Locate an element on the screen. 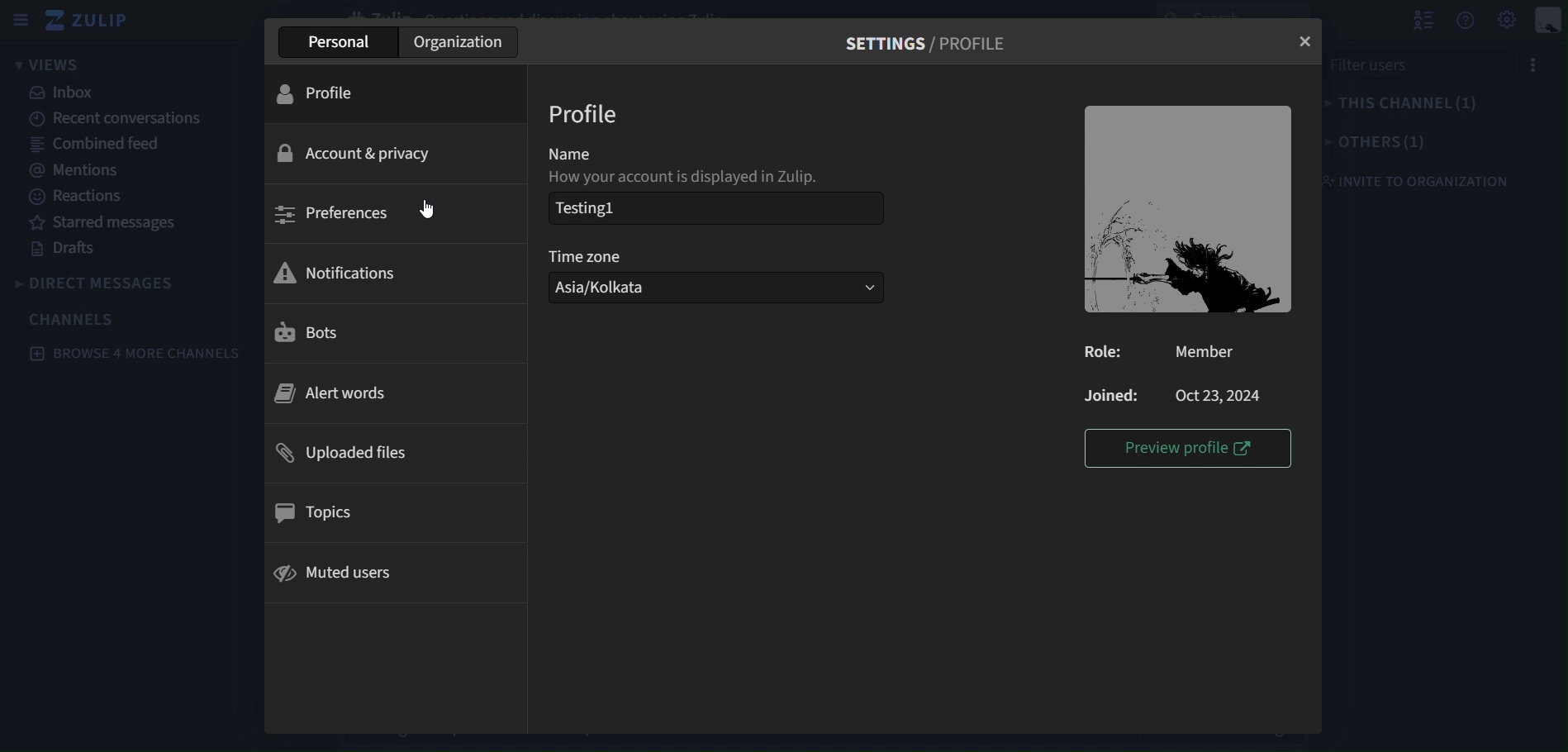  get help is located at coordinates (1469, 20).